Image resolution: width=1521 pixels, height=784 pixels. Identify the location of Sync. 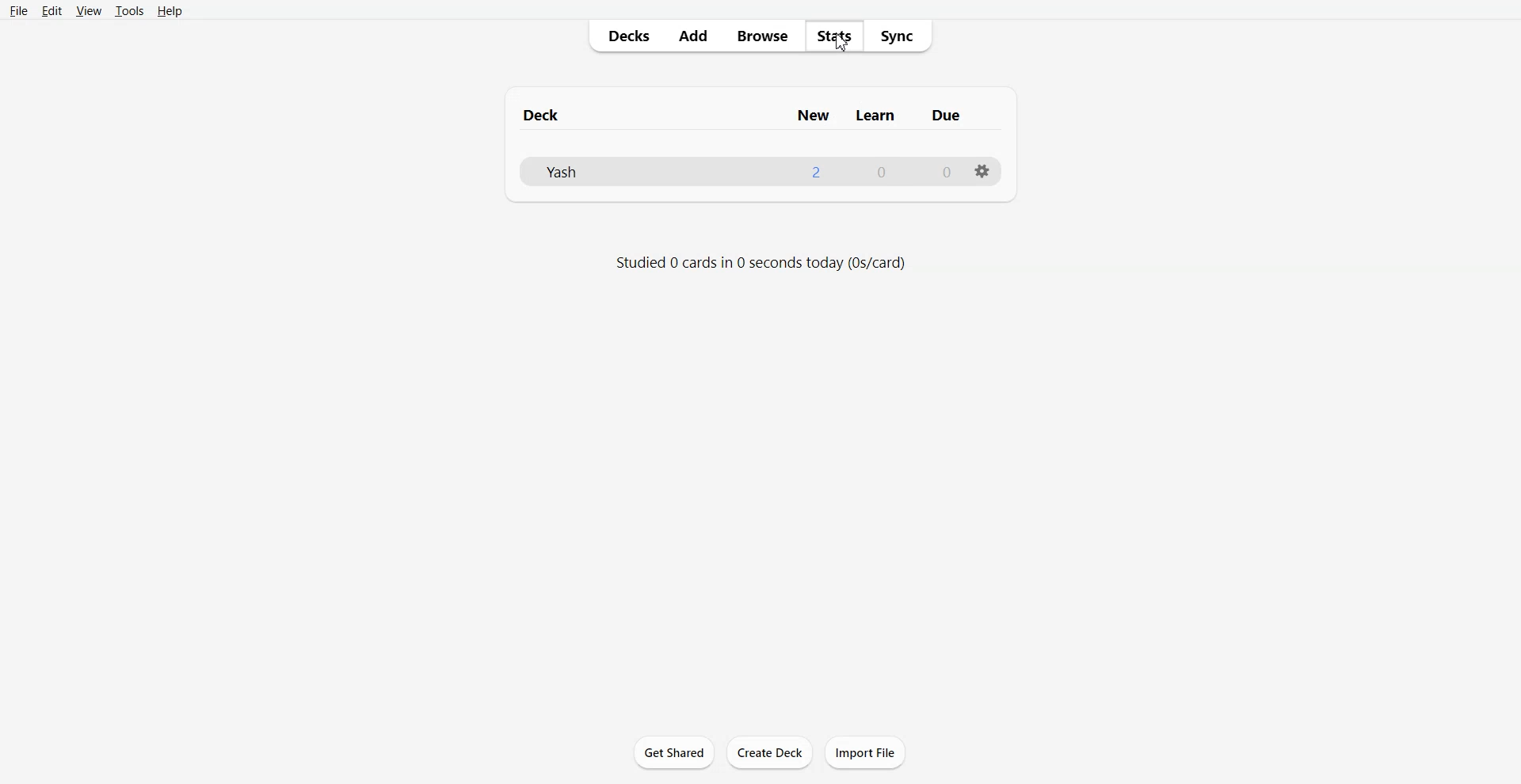
(903, 36).